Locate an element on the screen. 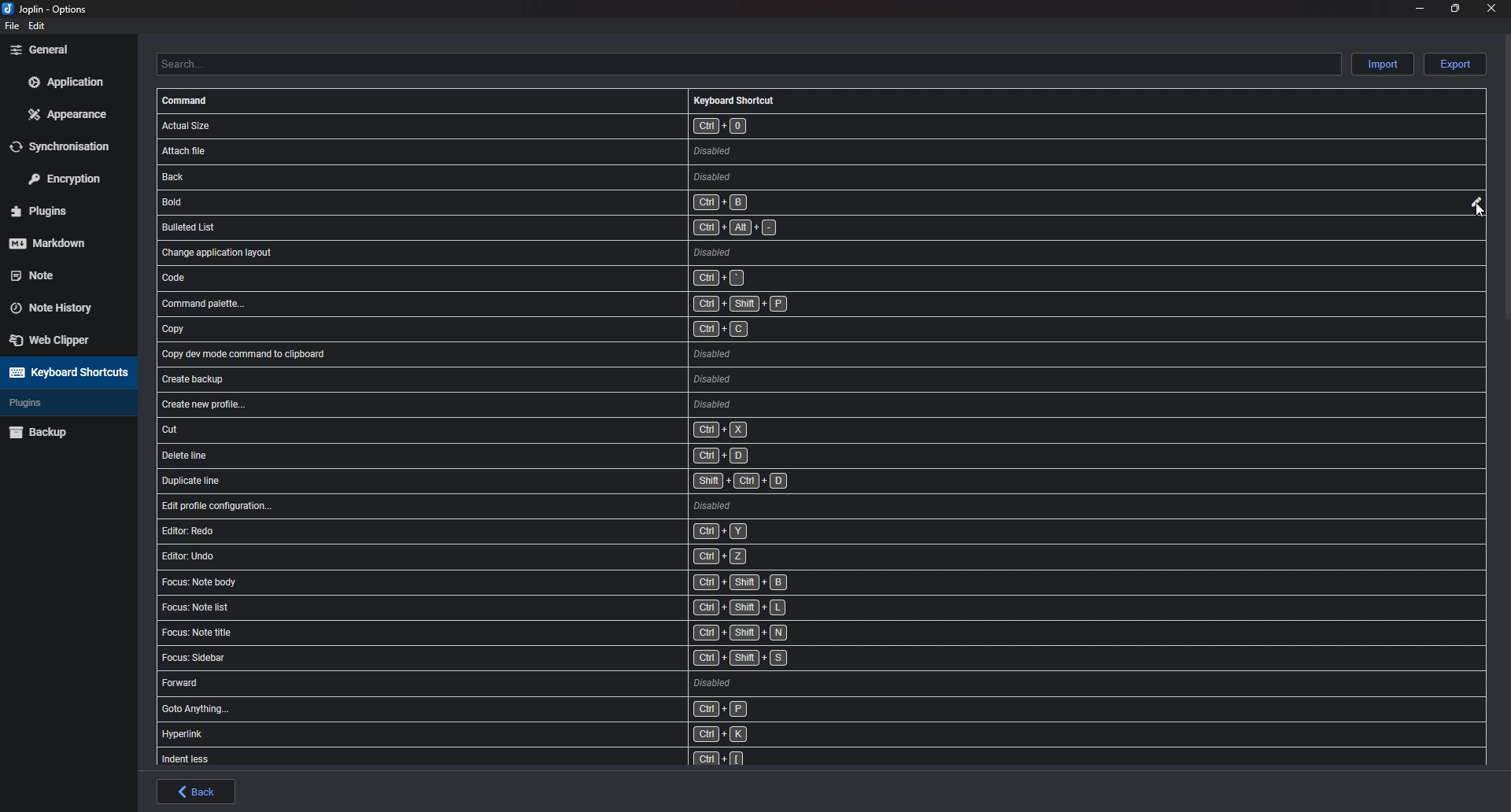  shortcut is located at coordinates (536, 382).